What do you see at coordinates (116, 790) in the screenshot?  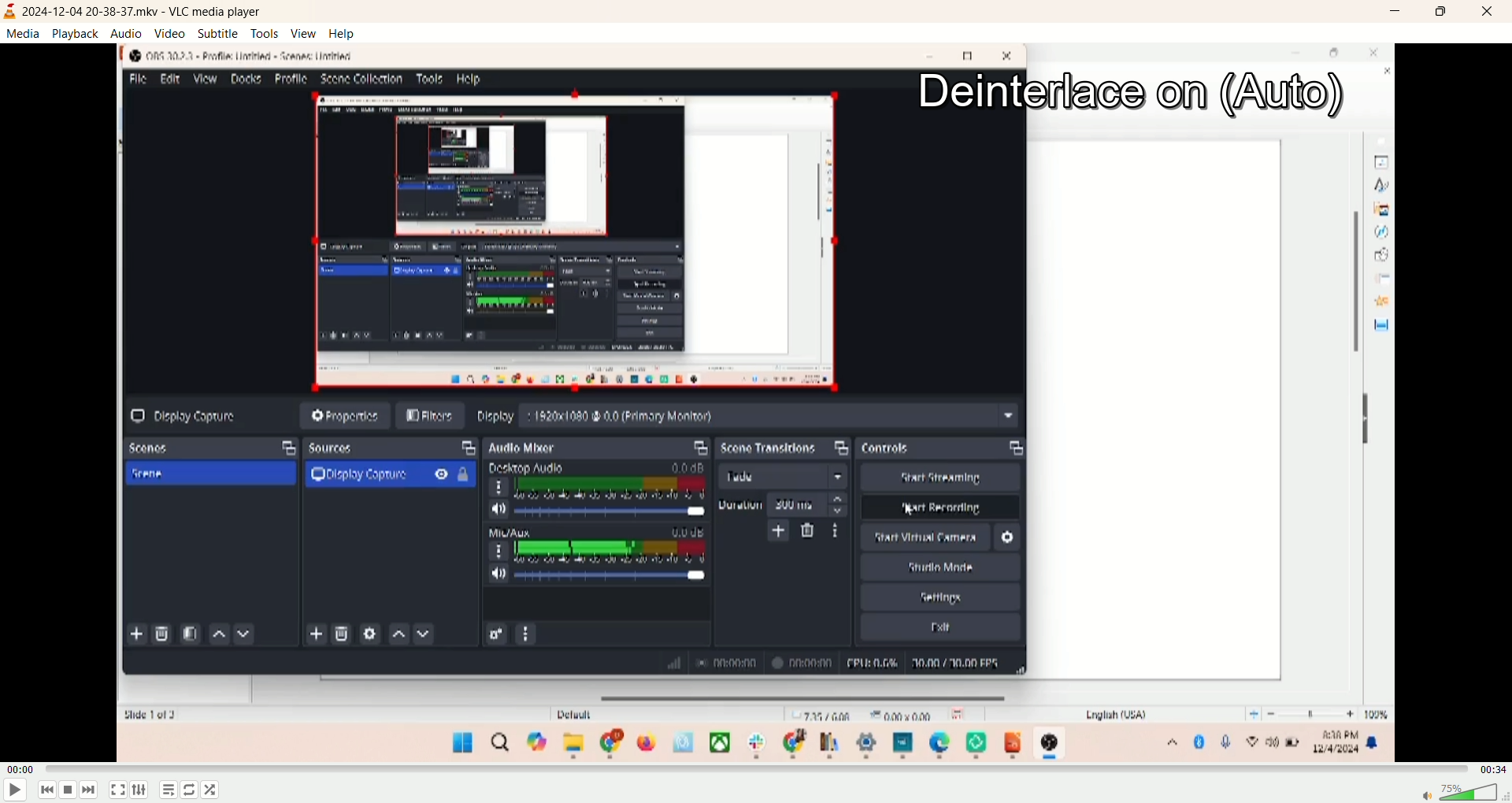 I see `full screen` at bounding box center [116, 790].